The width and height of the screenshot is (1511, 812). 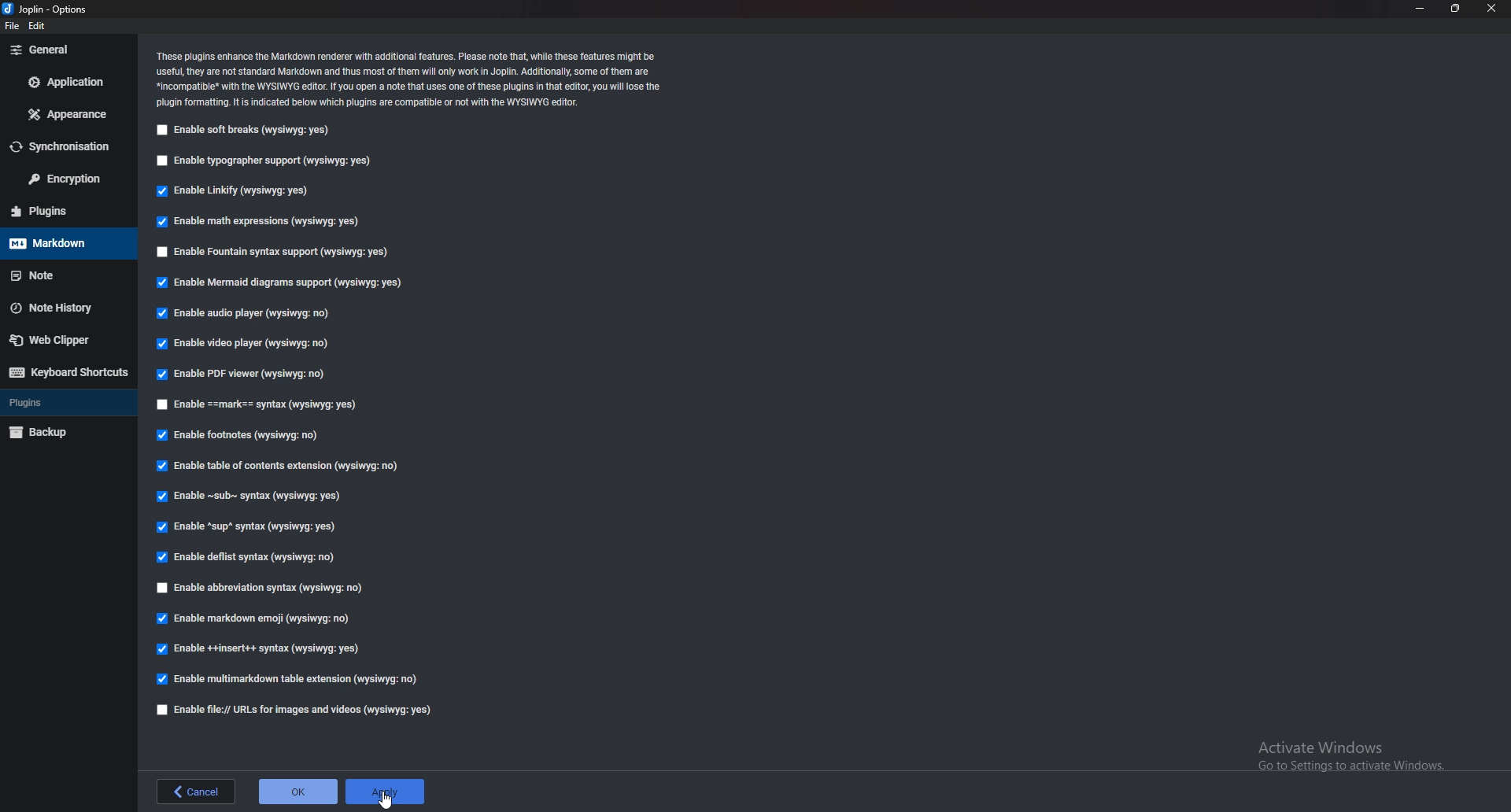 What do you see at coordinates (246, 557) in the screenshot?
I see `enable deflist syntax` at bounding box center [246, 557].